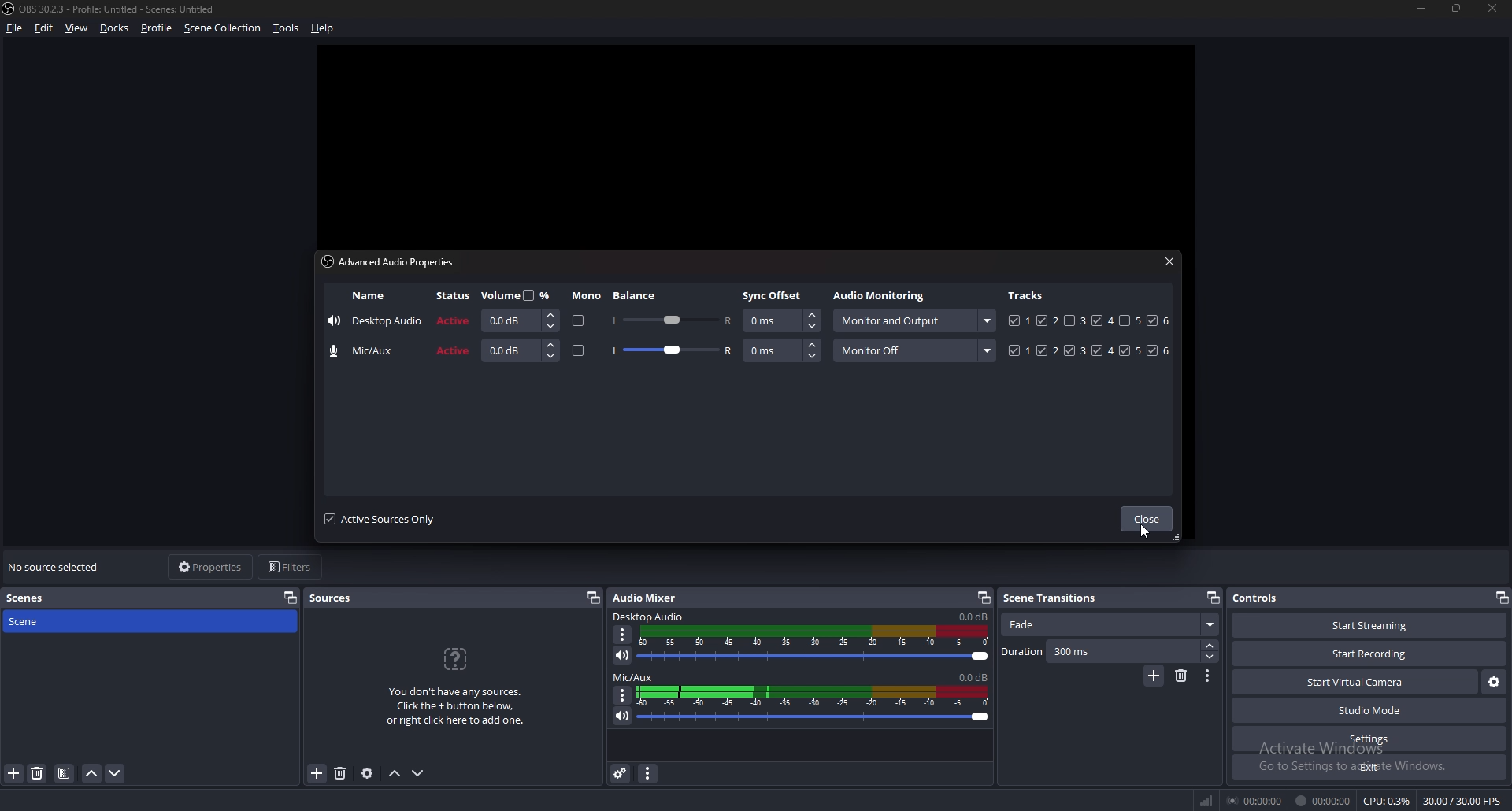 Image resolution: width=1512 pixels, height=811 pixels. What do you see at coordinates (1369, 739) in the screenshot?
I see `settings` at bounding box center [1369, 739].